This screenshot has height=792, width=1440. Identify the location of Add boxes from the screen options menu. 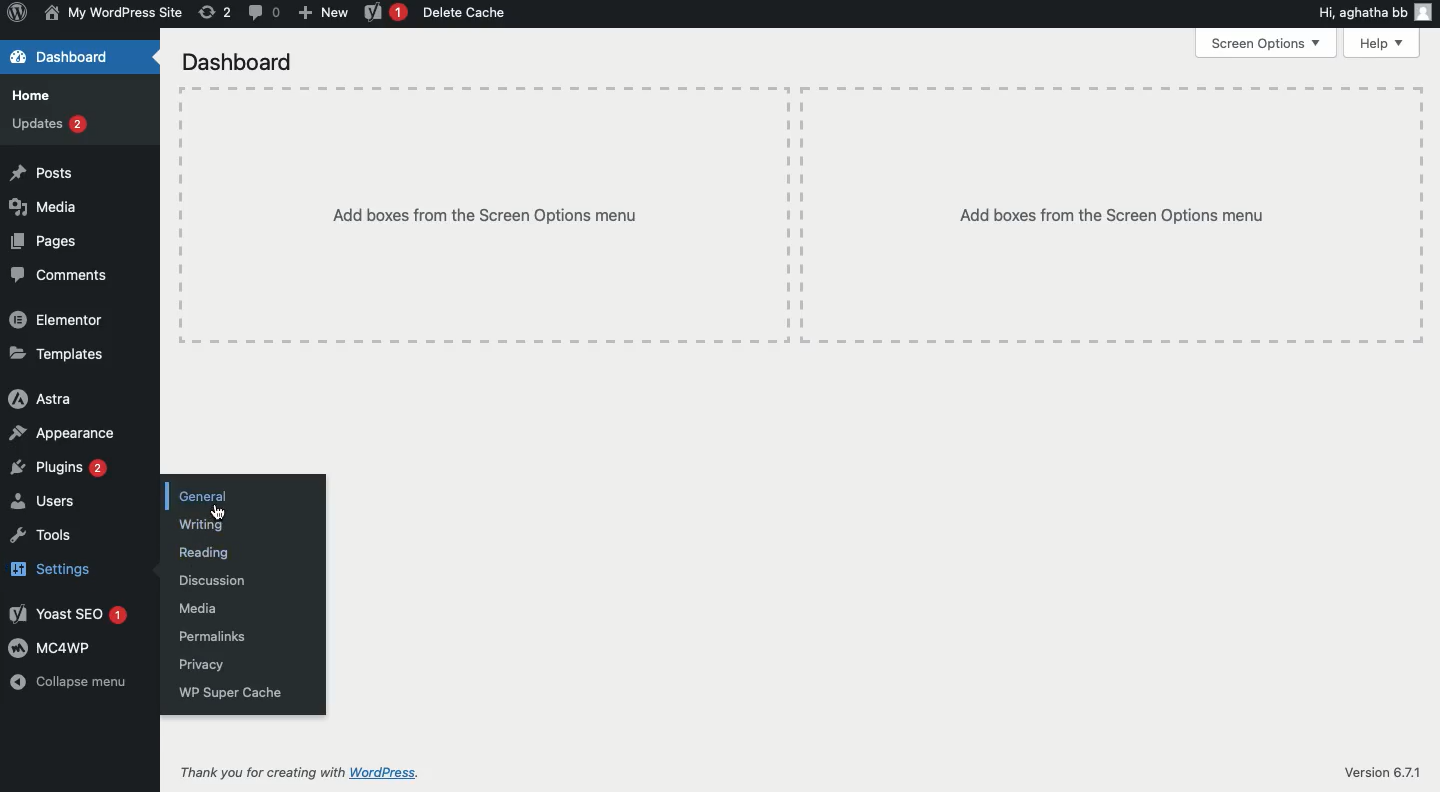
(792, 214).